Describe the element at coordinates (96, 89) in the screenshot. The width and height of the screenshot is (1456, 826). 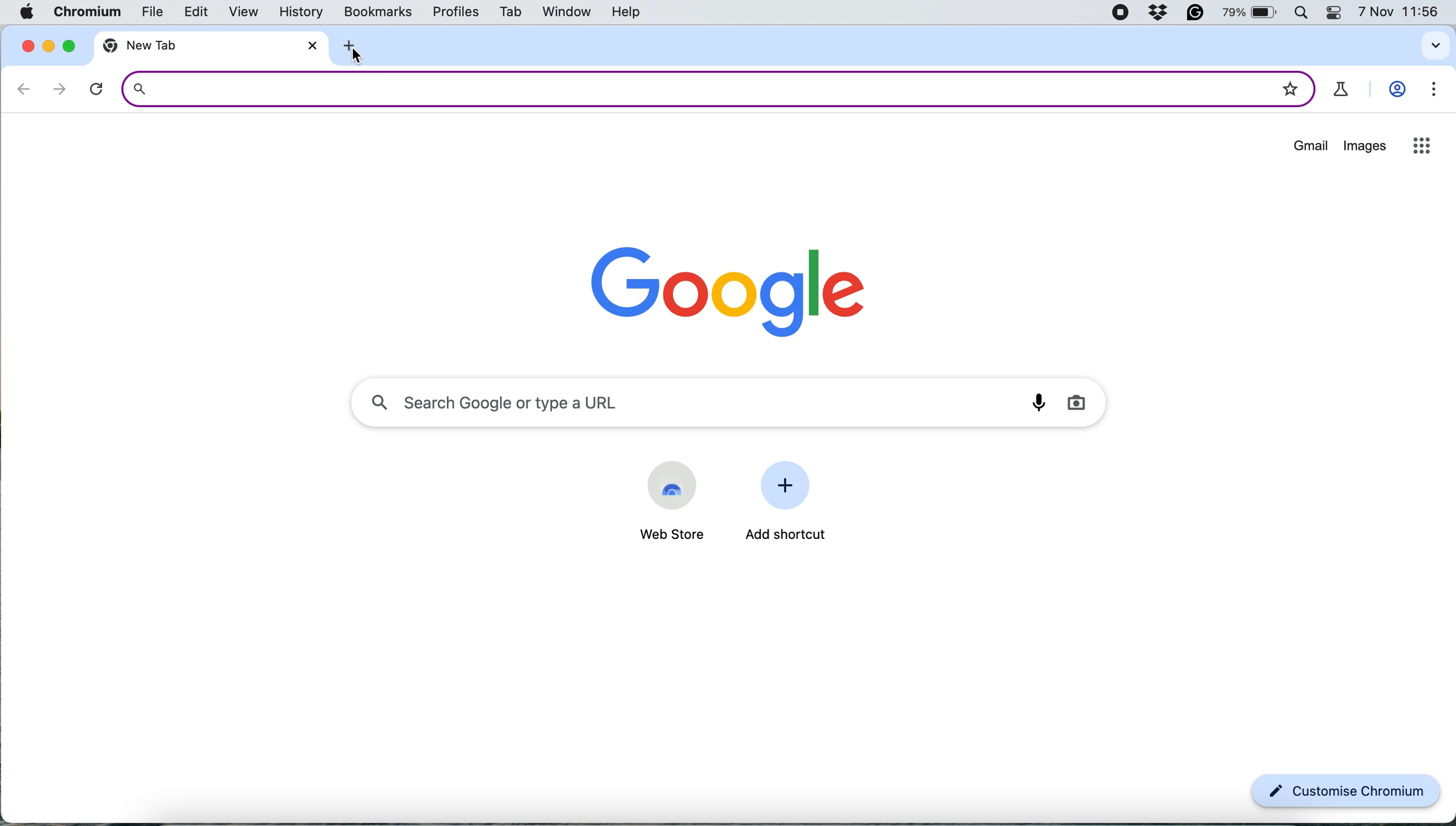
I see `refresh` at that location.